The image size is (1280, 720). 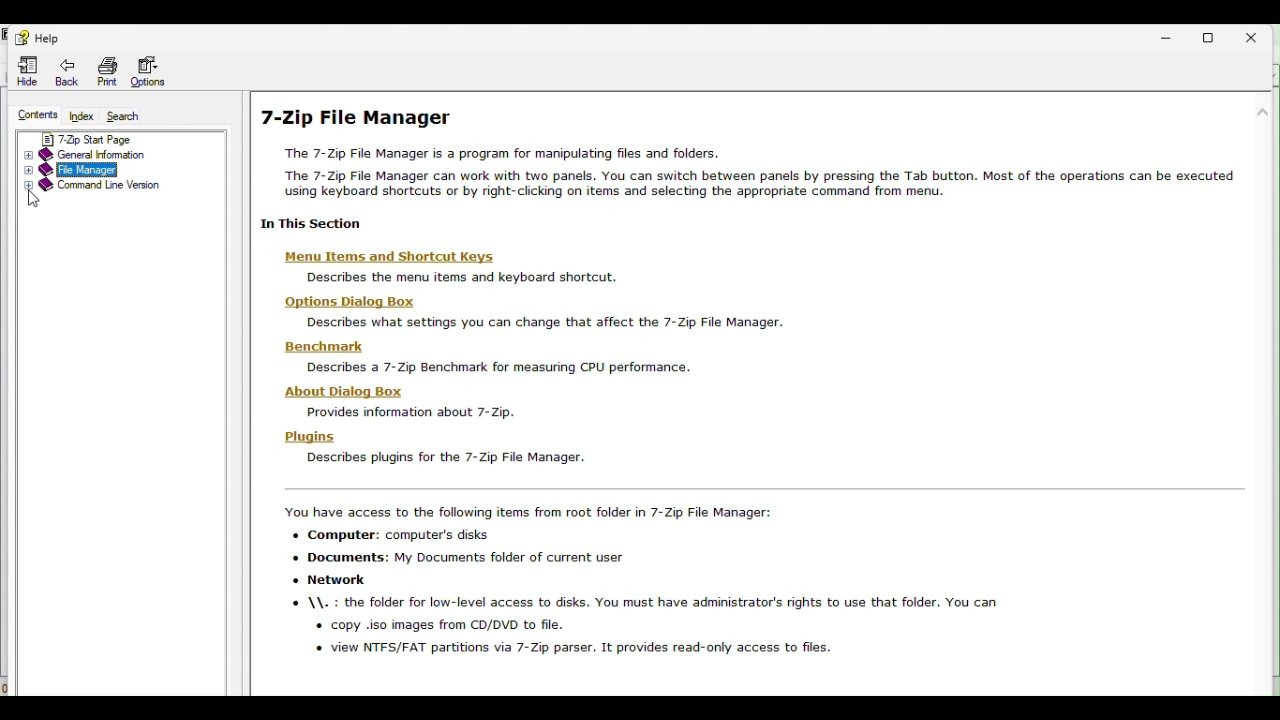 I want to click on command line version , so click(x=121, y=187).